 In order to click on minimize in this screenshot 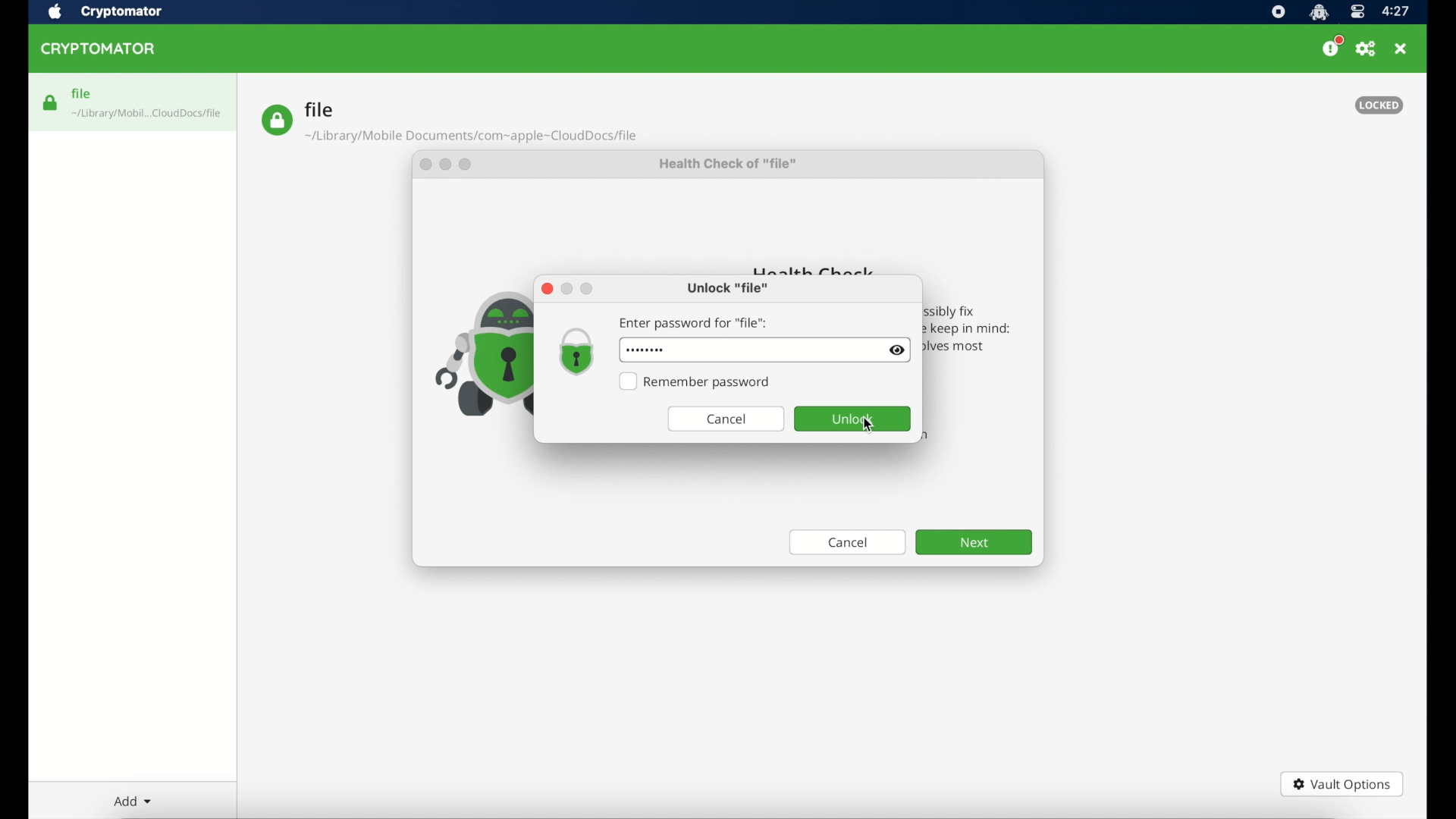, I will do `click(447, 166)`.